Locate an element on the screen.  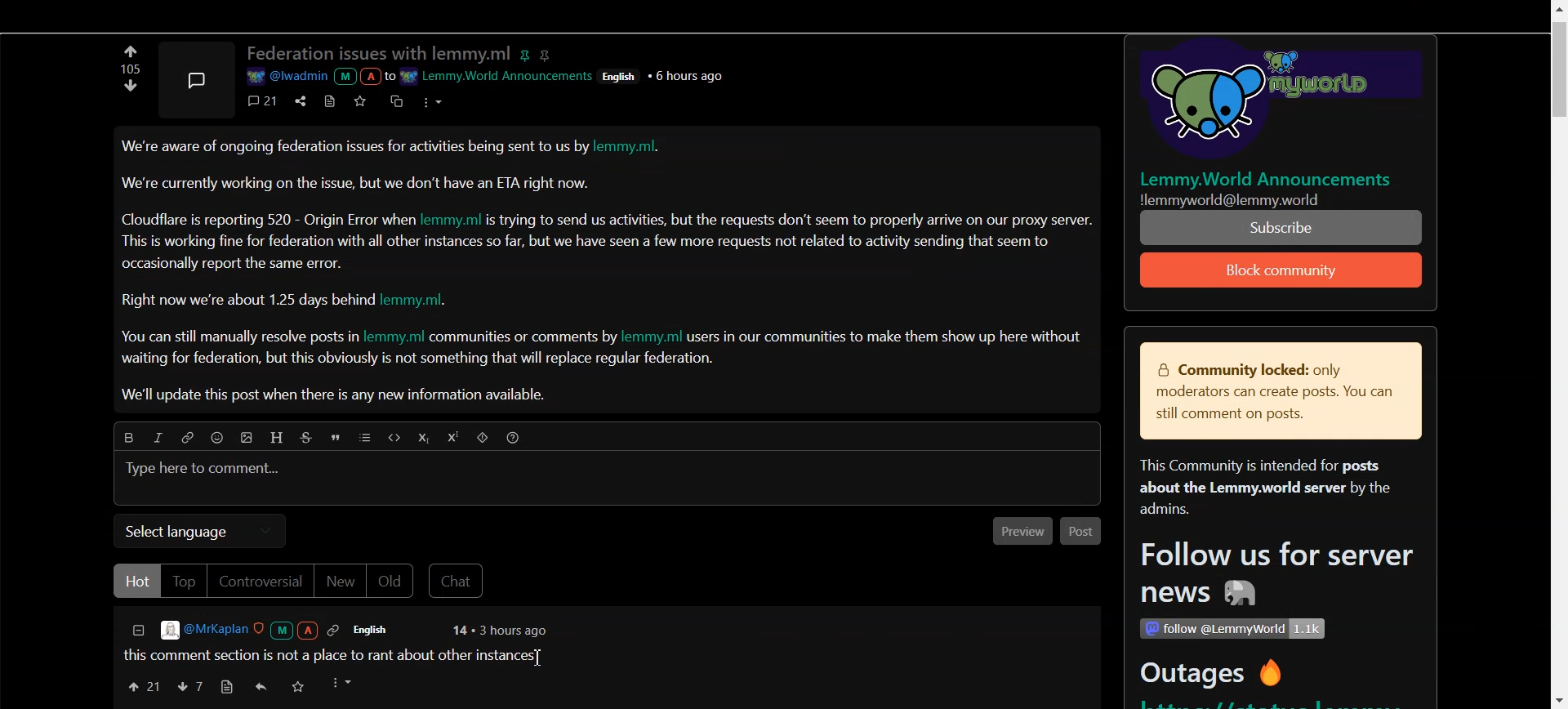
& Community locked: only
moderators can create posts. You can
still comment on posts. is located at coordinates (1269, 393).